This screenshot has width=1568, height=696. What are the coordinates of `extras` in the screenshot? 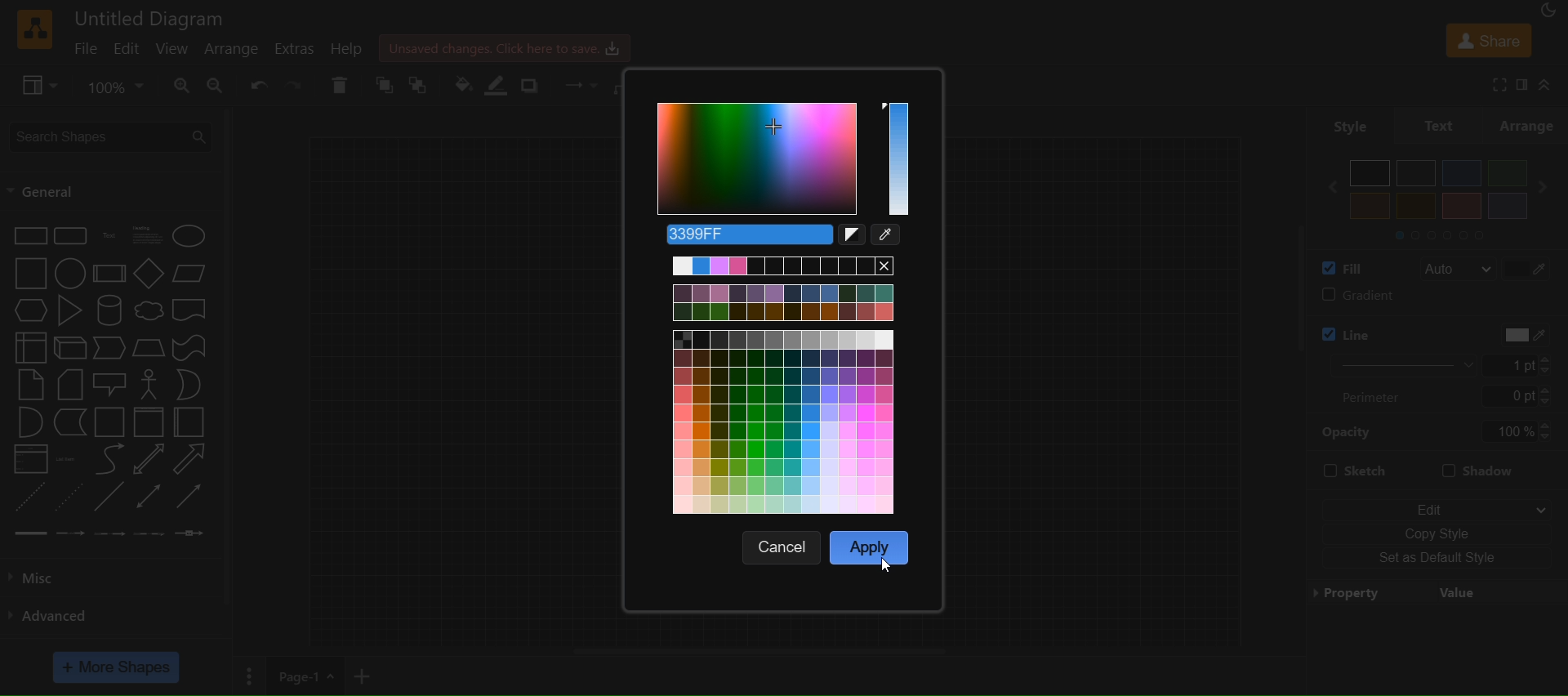 It's located at (301, 48).